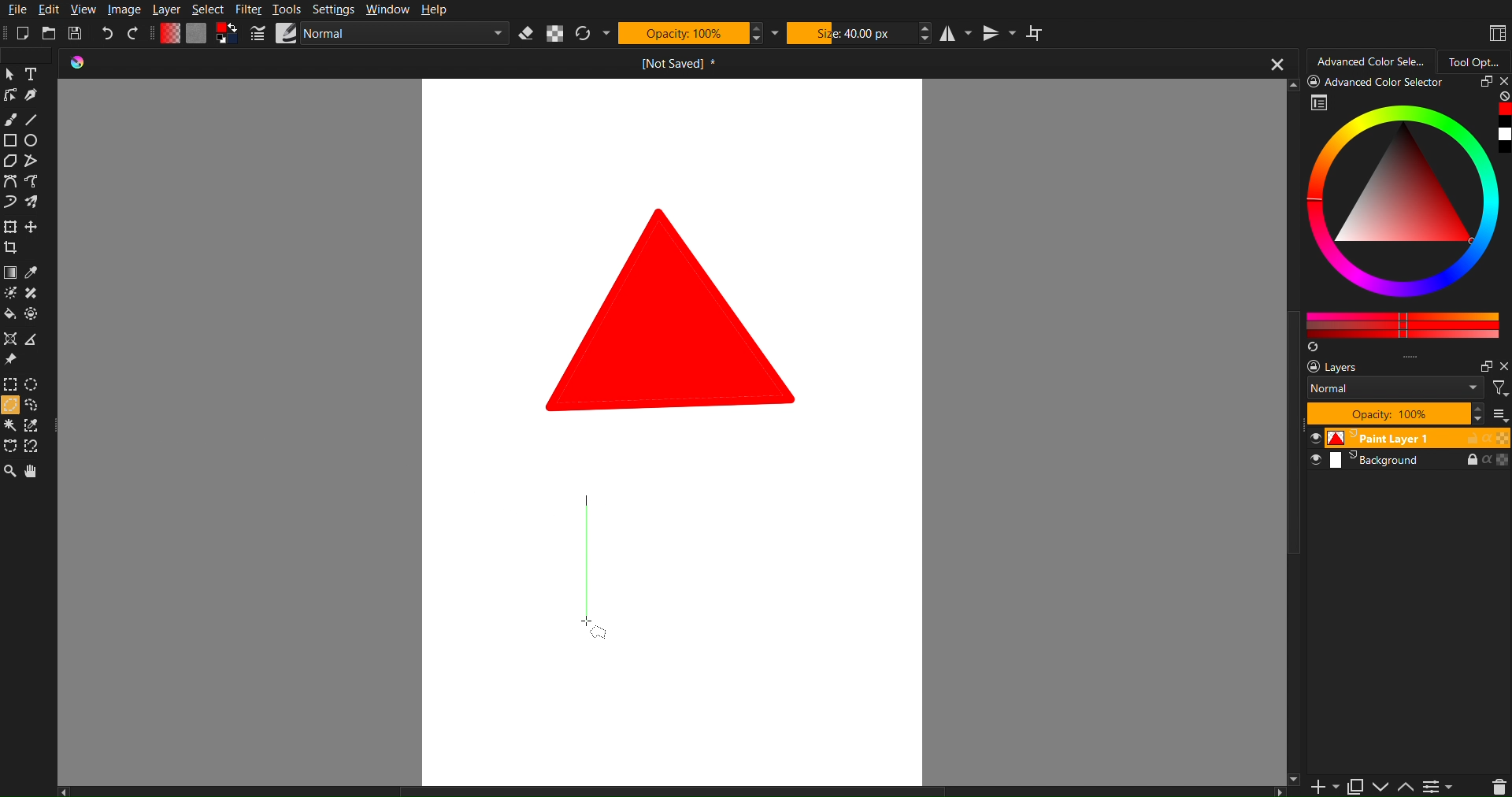 Image resolution: width=1512 pixels, height=797 pixels. I want to click on Tools, so click(289, 10).